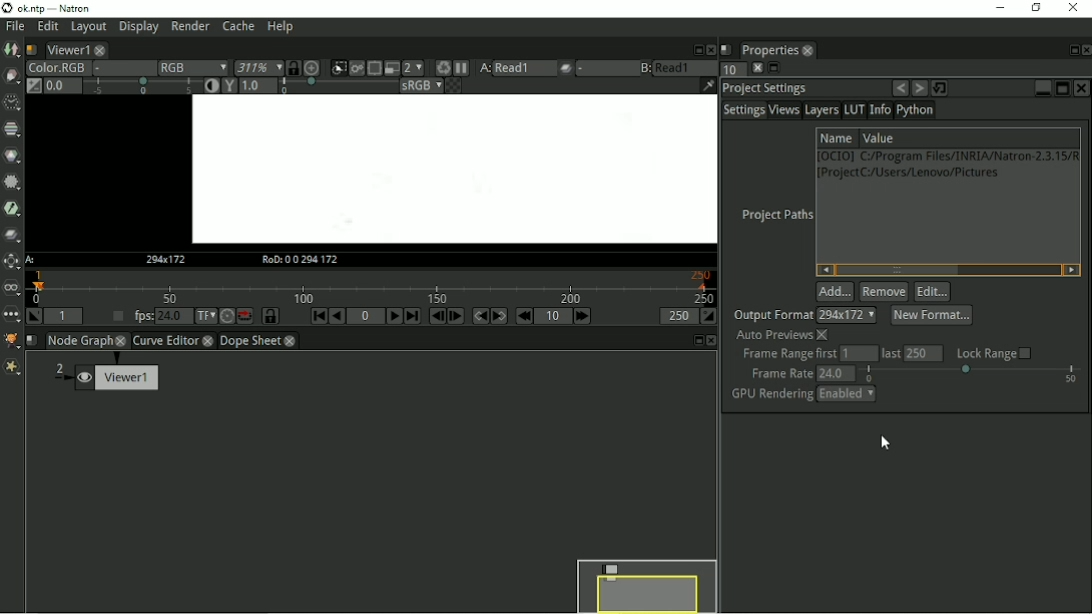 The width and height of the screenshot is (1092, 614). I want to click on Render, so click(444, 68).